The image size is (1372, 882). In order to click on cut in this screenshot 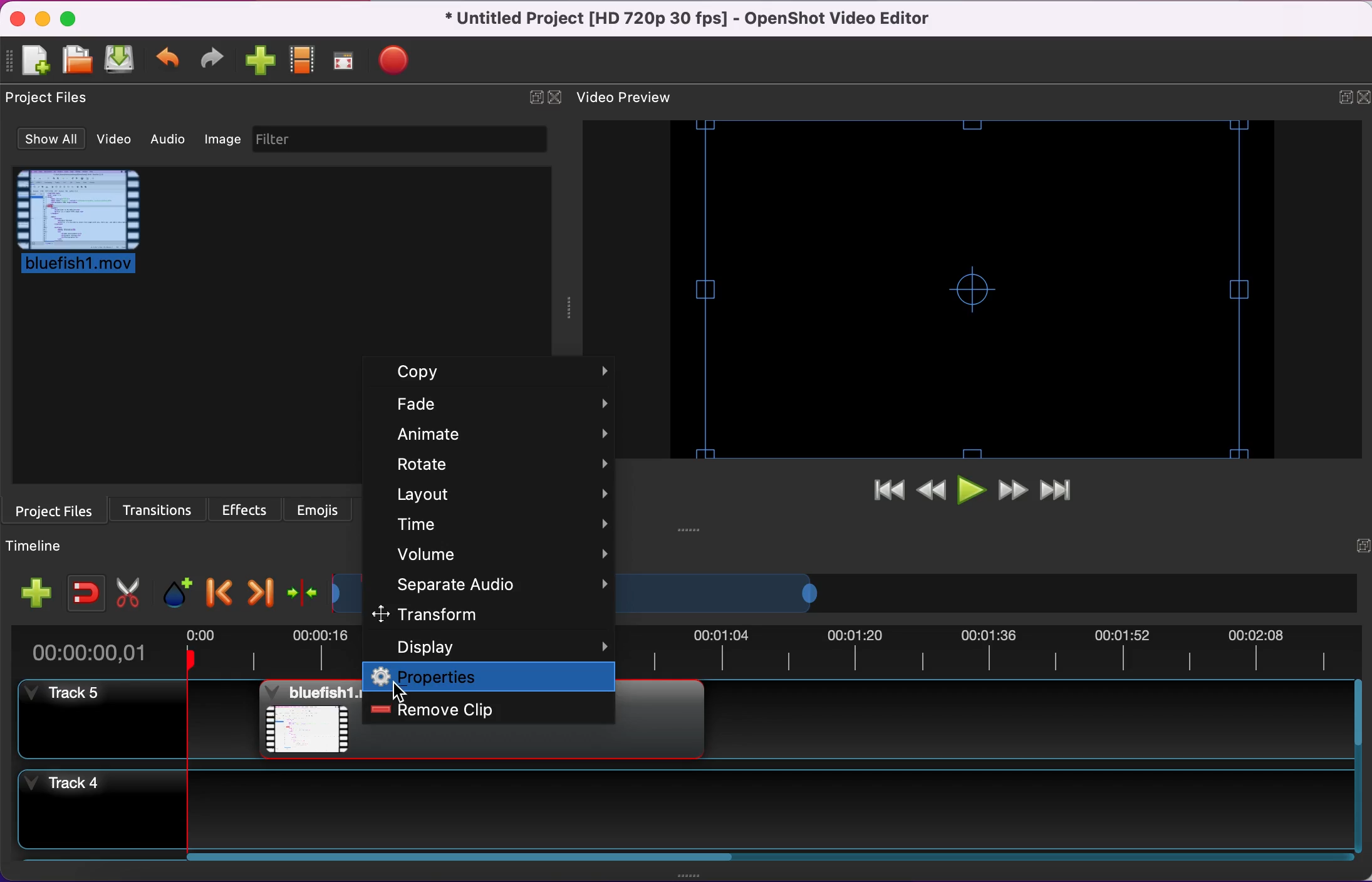, I will do `click(133, 591)`.